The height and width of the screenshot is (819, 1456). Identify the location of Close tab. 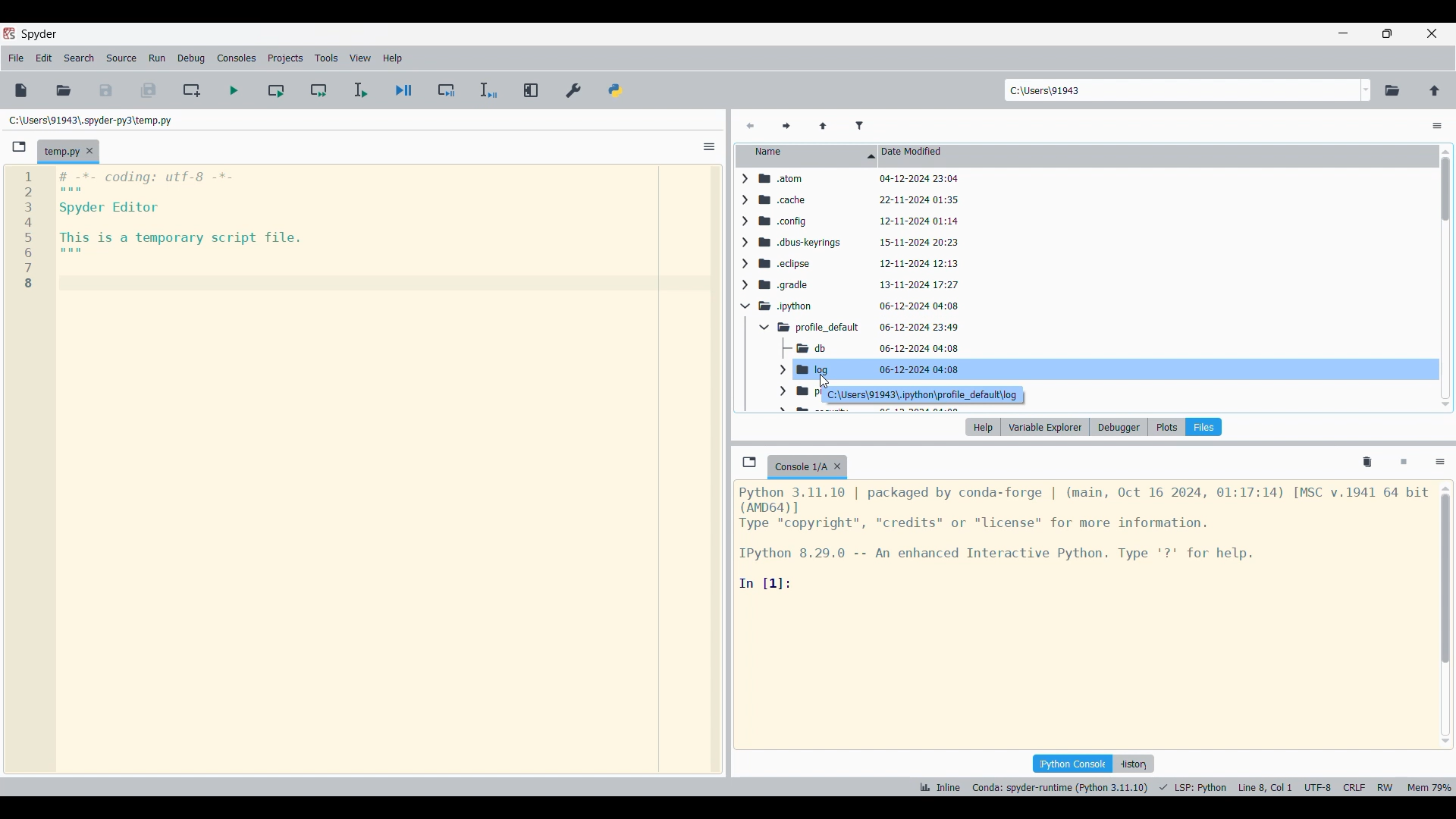
(89, 151).